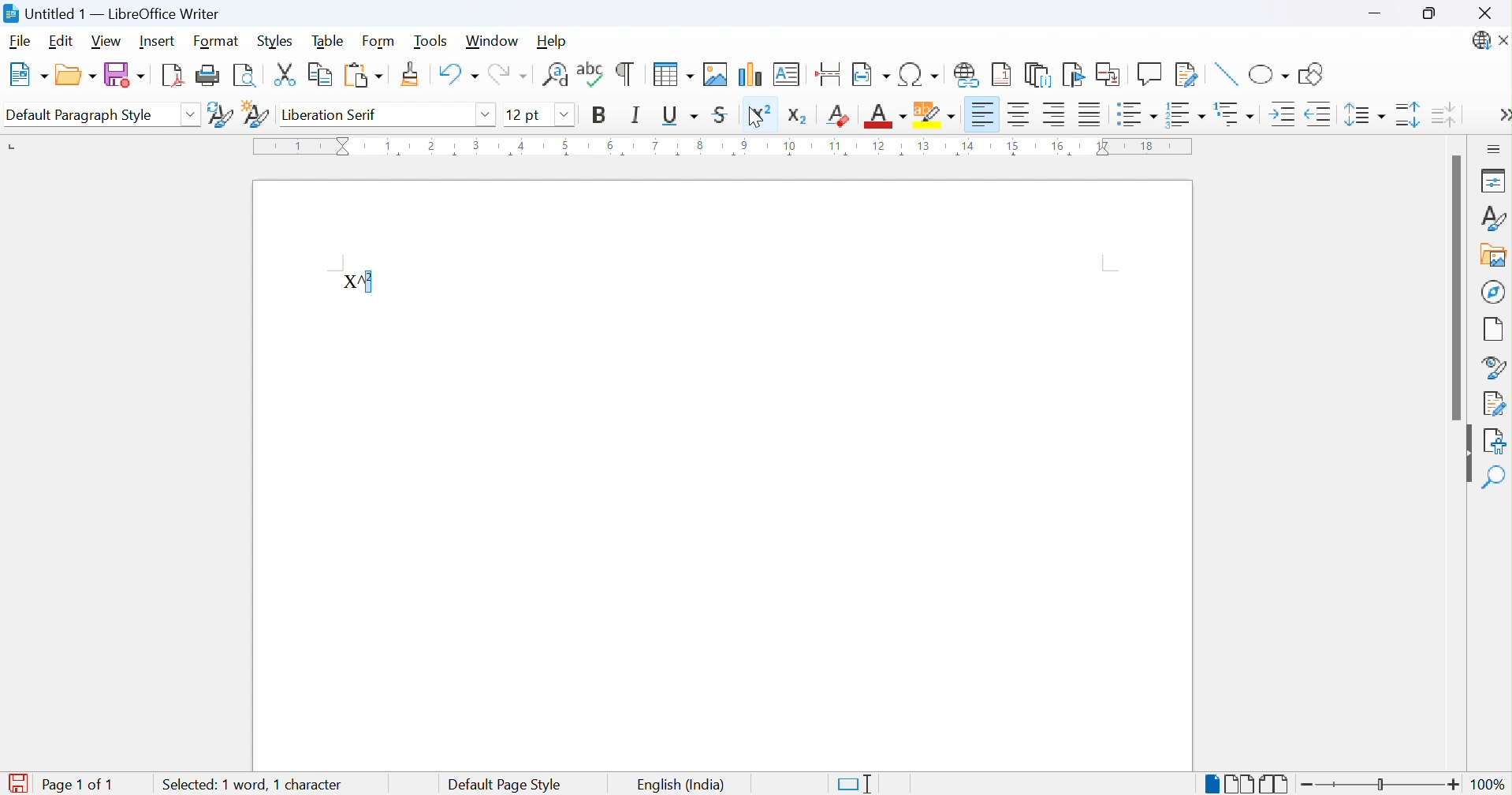 The width and height of the screenshot is (1512, 795). Describe the element at coordinates (1093, 114) in the screenshot. I see `Justified` at that location.